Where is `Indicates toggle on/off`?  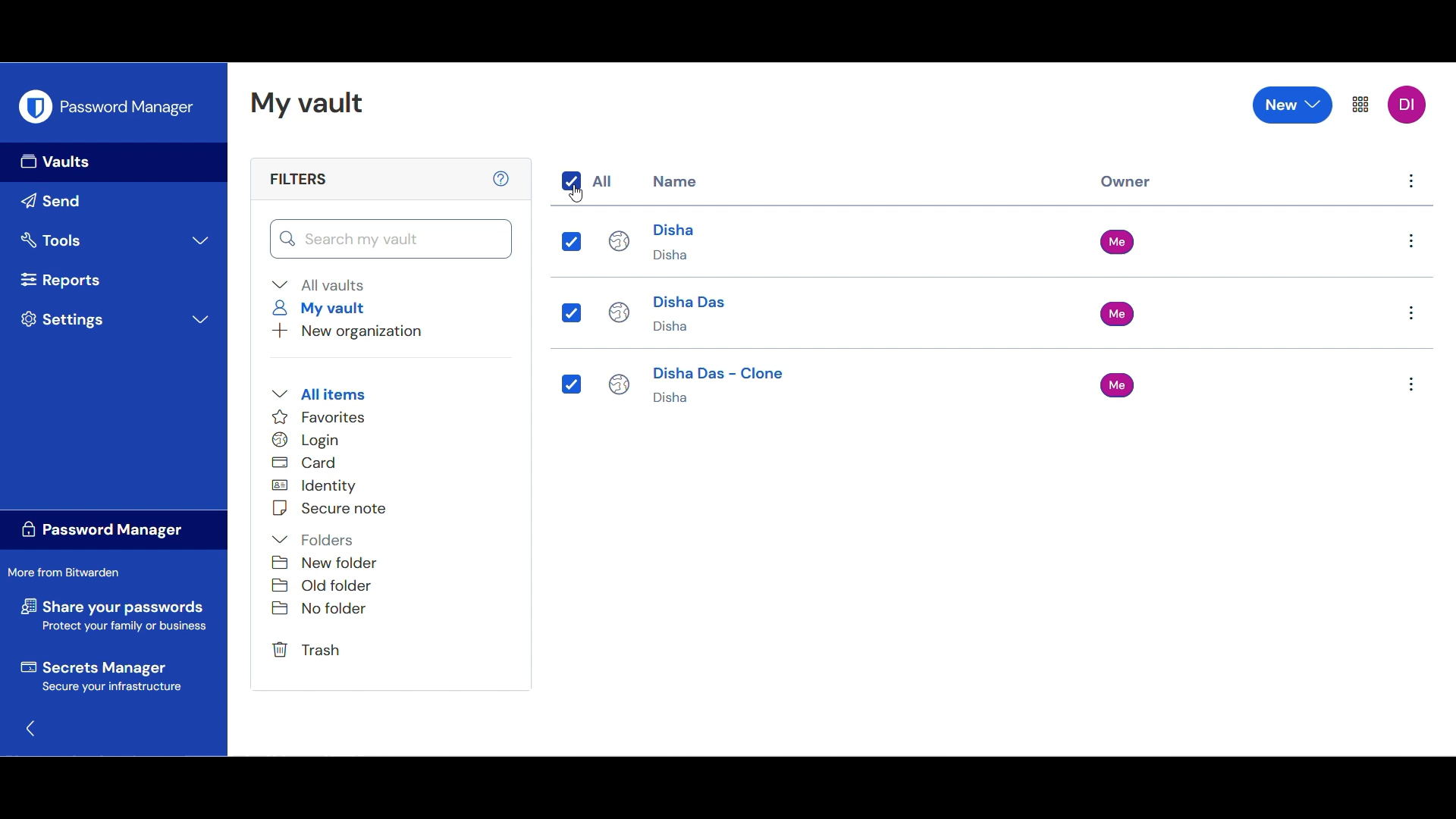
Indicates toggle on/off is located at coordinates (570, 312).